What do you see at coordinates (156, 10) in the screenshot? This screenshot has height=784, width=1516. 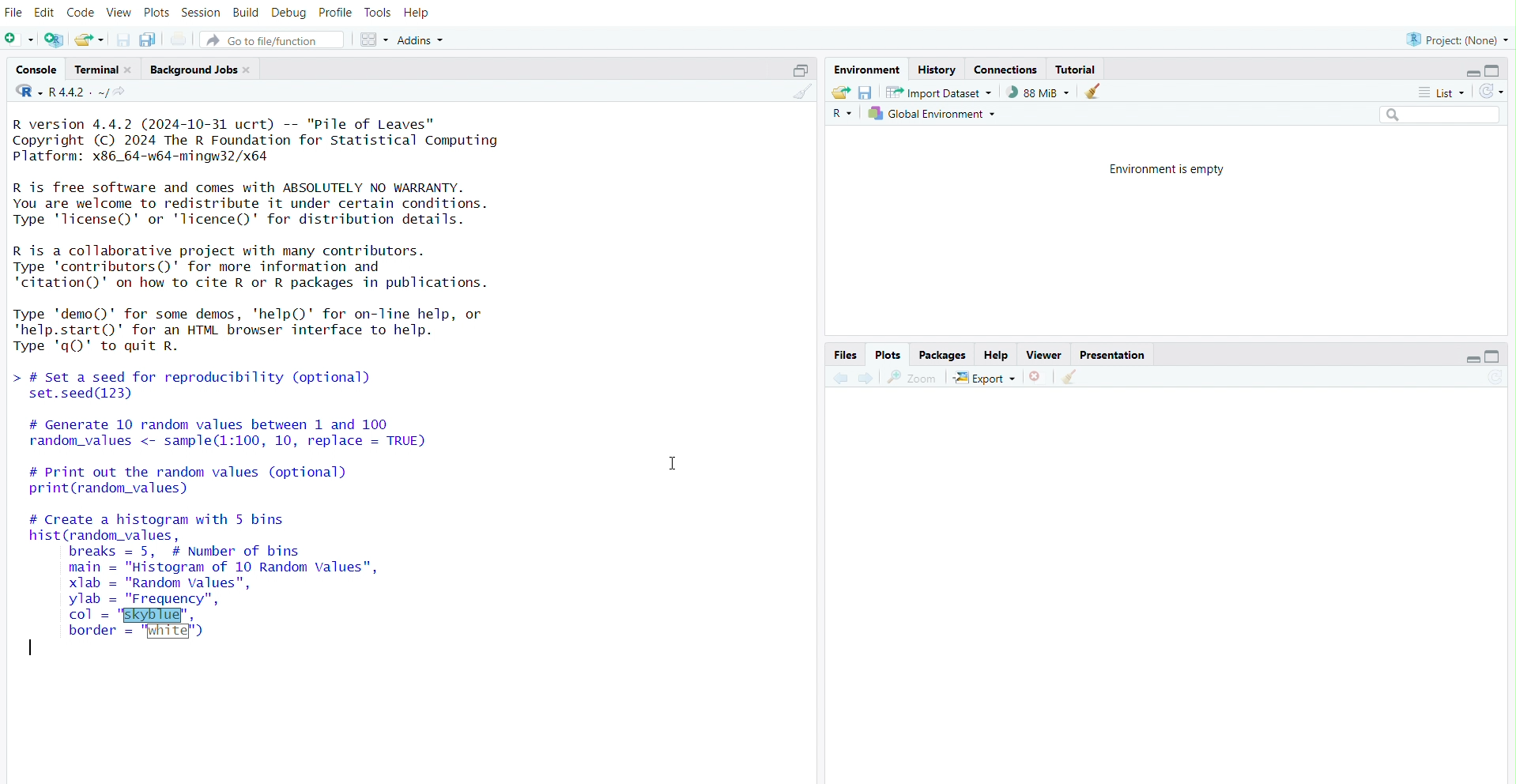 I see `plots` at bounding box center [156, 10].